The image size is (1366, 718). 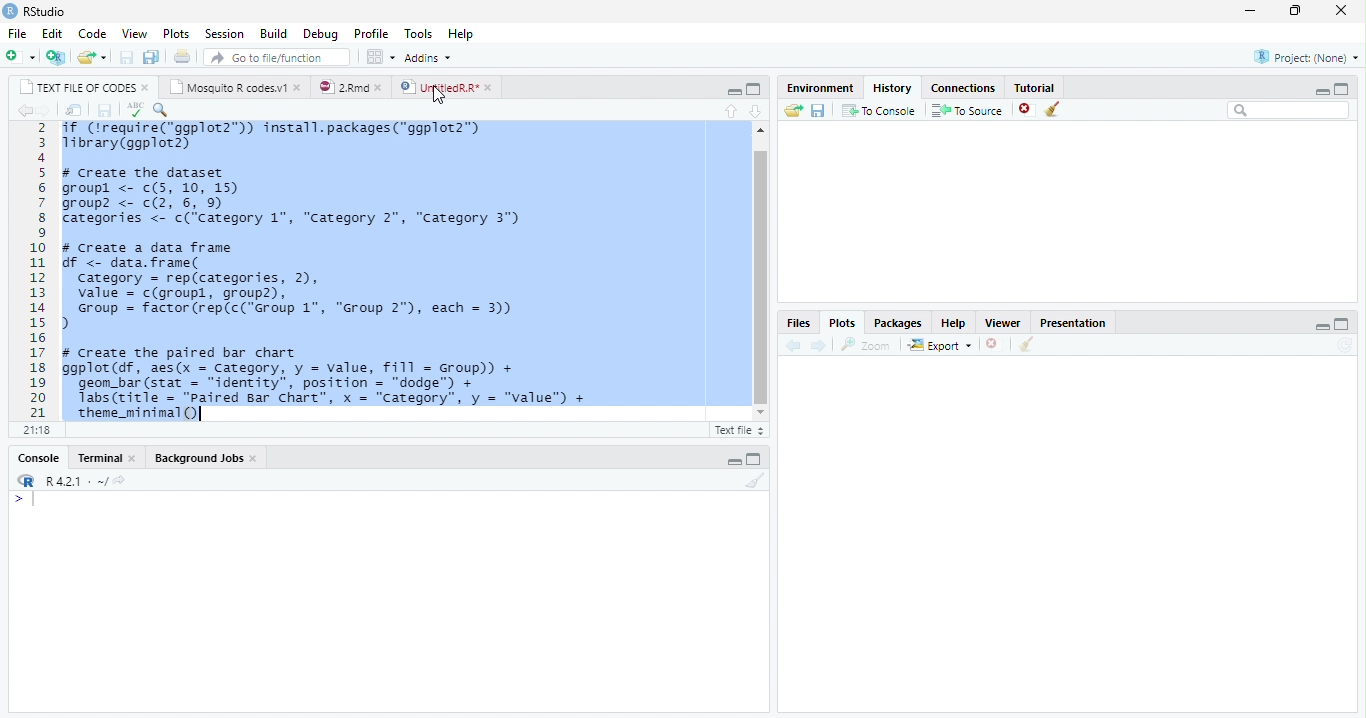 What do you see at coordinates (344, 87) in the screenshot?
I see `2.rmd` at bounding box center [344, 87].